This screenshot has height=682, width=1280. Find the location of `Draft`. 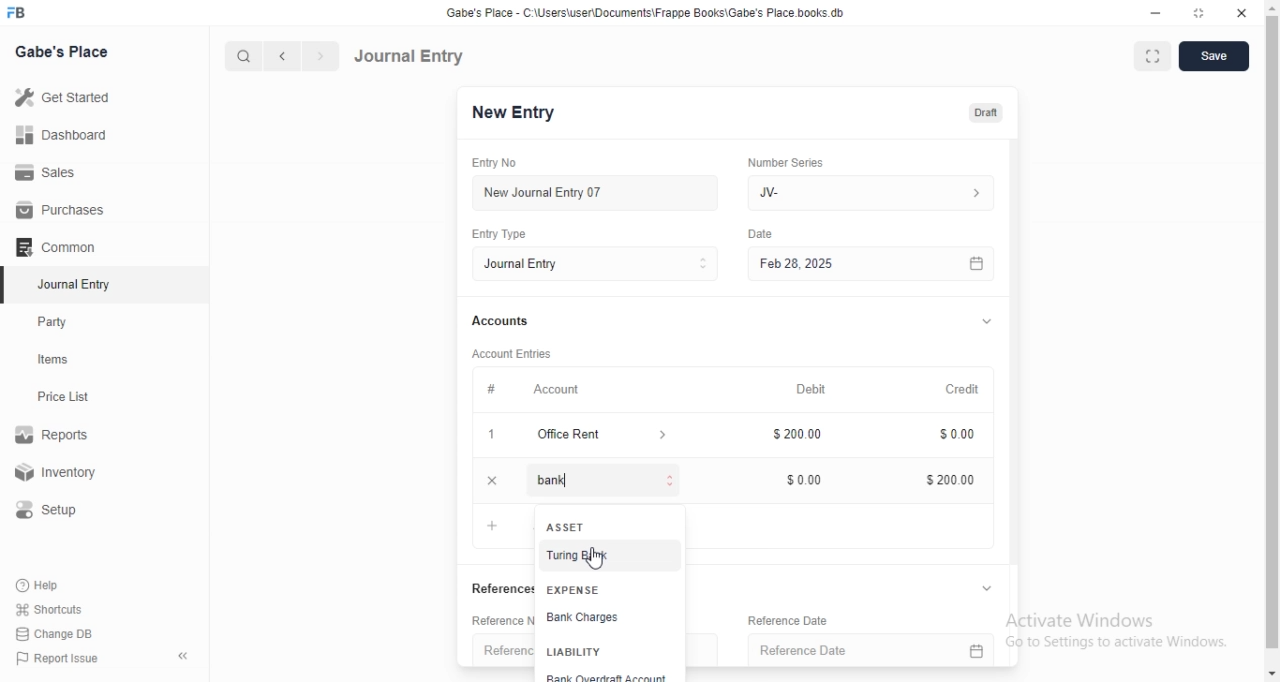

Draft is located at coordinates (993, 113).